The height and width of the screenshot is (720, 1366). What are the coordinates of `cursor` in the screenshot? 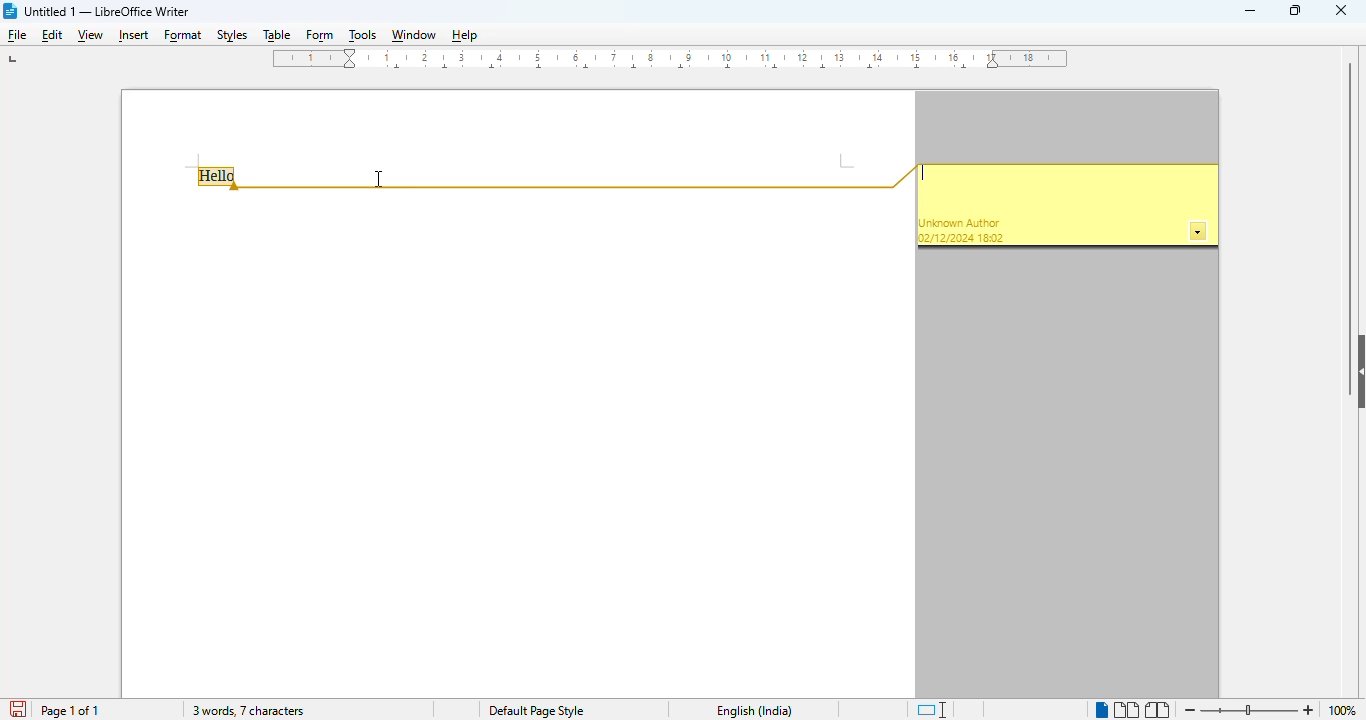 It's located at (378, 178).